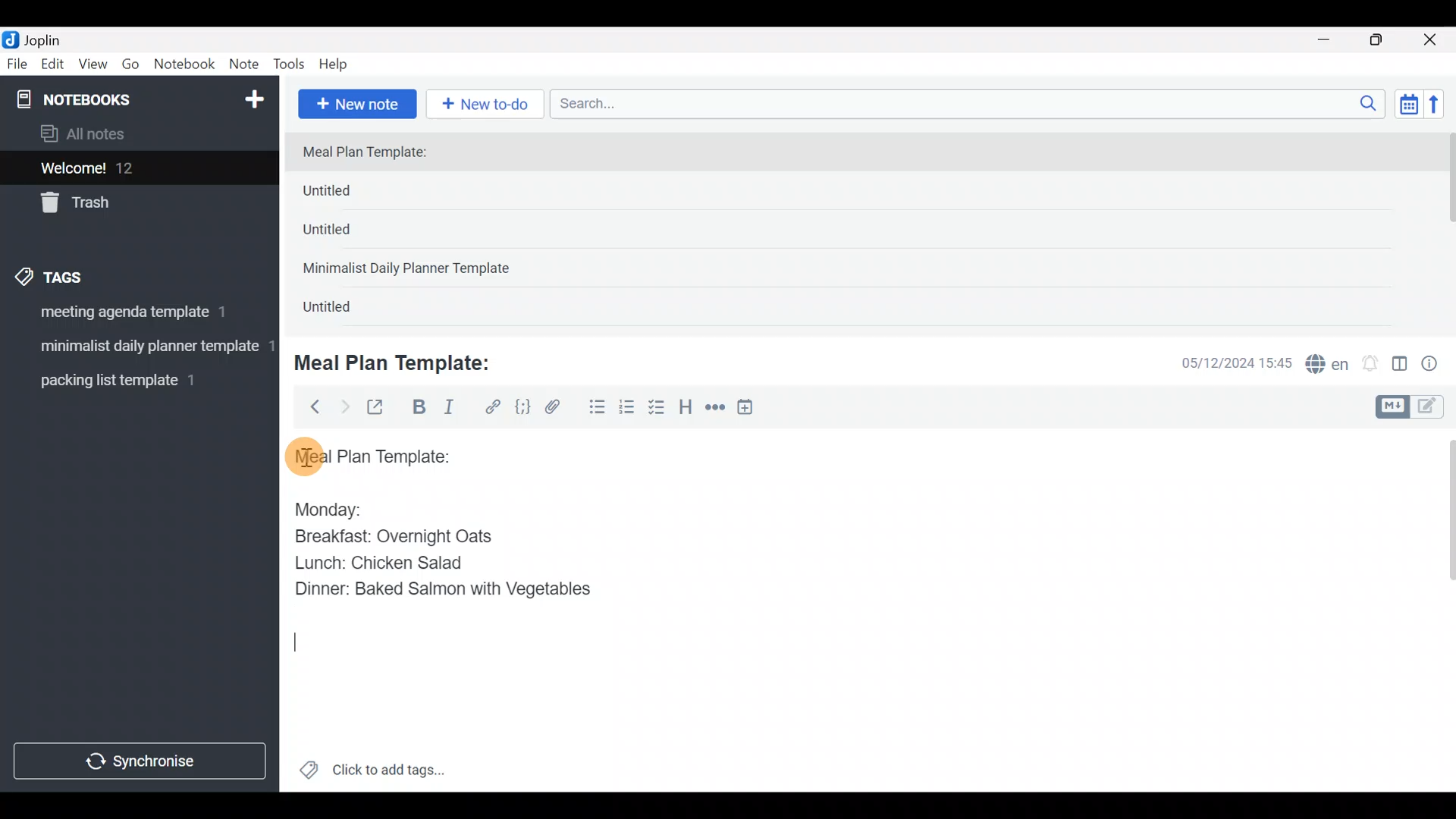  What do you see at coordinates (303, 456) in the screenshot?
I see `cursor` at bounding box center [303, 456].